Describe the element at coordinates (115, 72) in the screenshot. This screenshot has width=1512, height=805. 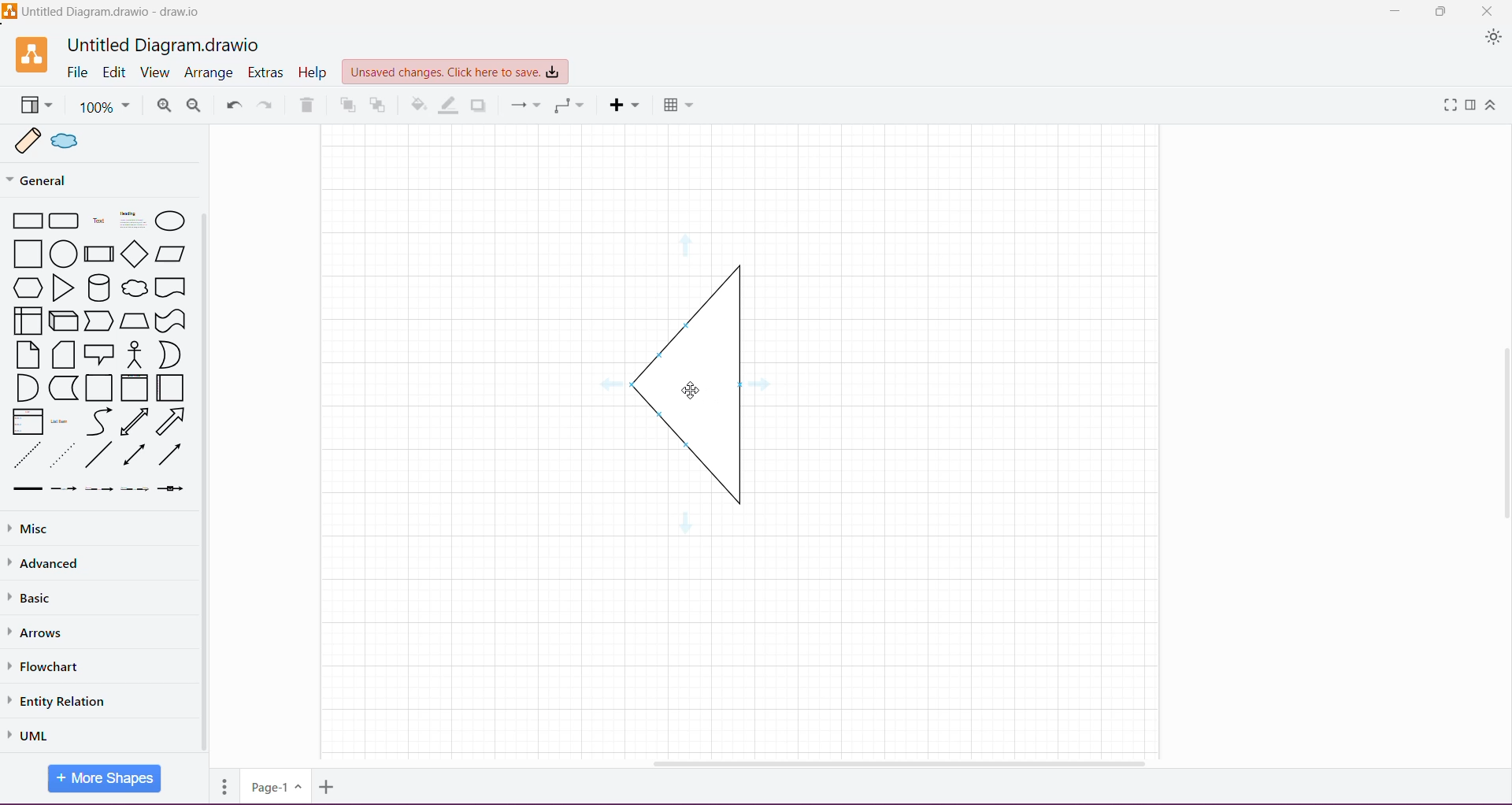
I see `Edit` at that location.